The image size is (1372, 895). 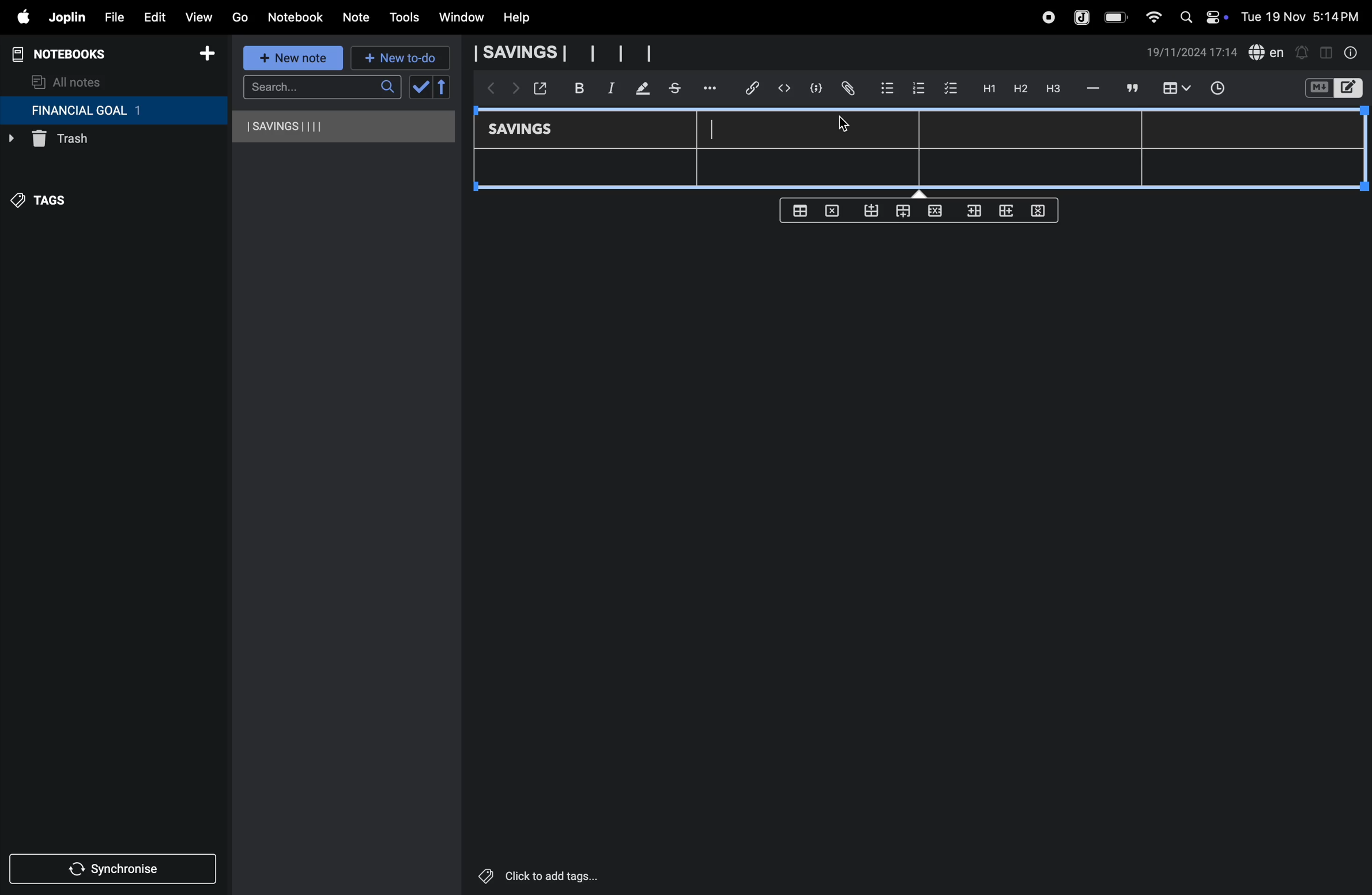 What do you see at coordinates (198, 14) in the screenshot?
I see `view` at bounding box center [198, 14].